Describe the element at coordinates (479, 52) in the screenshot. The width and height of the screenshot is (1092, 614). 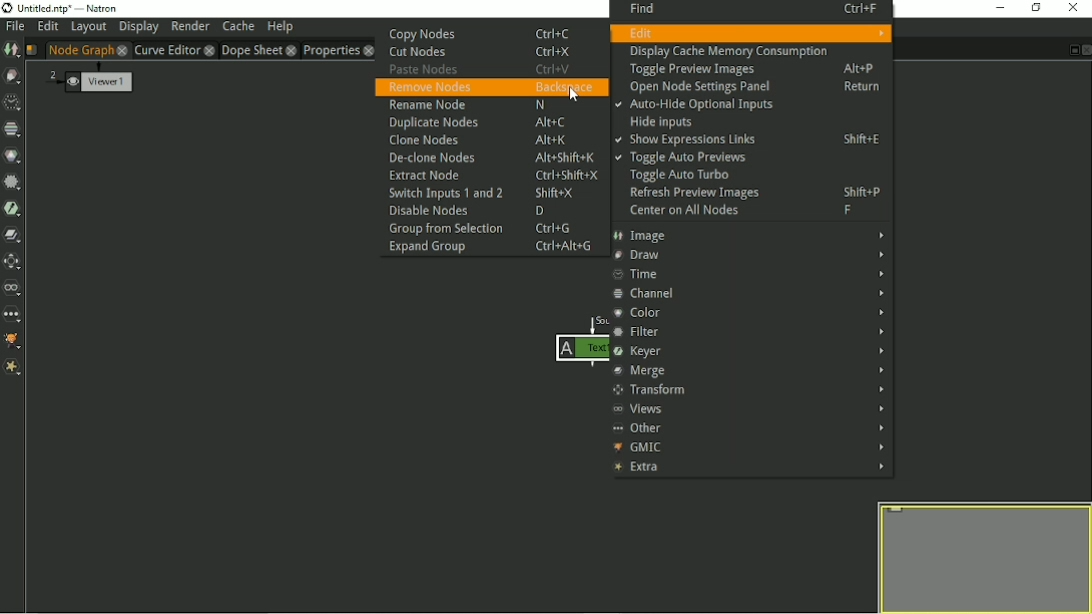
I see `Cut Nodes` at that location.